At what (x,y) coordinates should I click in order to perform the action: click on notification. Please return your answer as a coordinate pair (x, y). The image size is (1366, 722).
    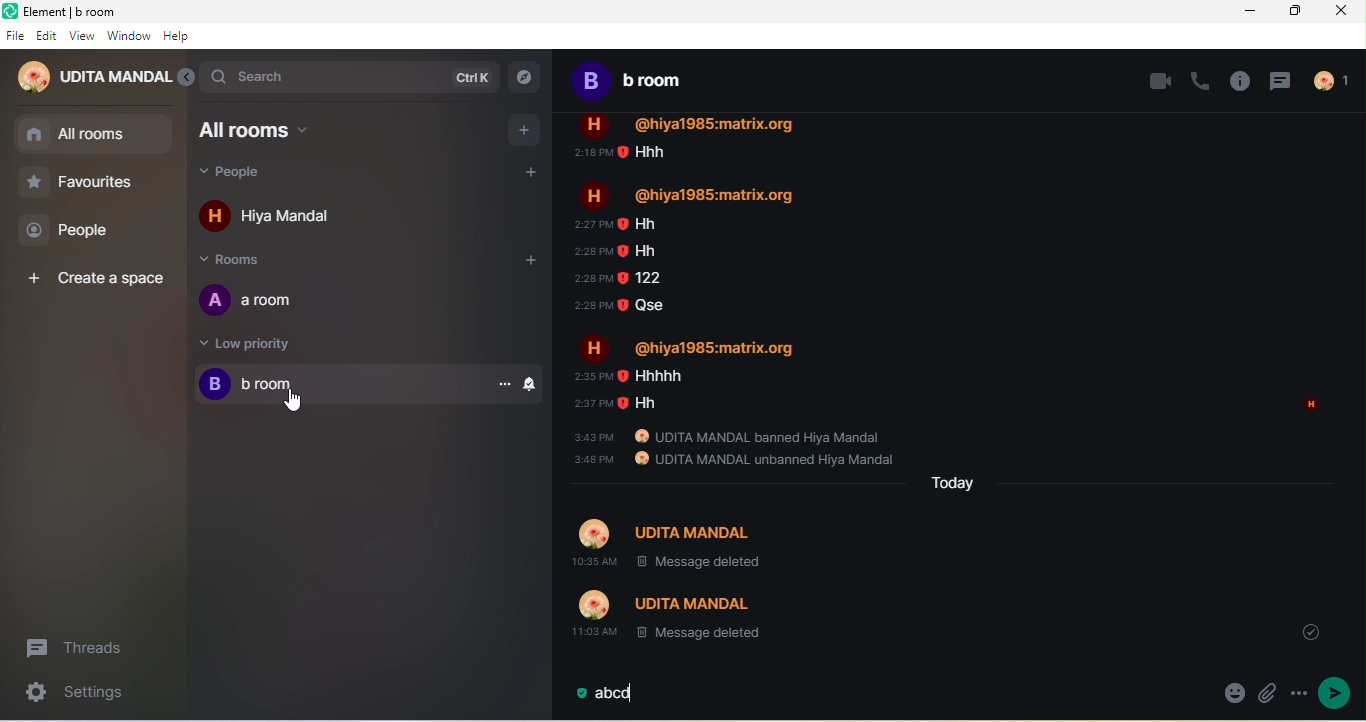
    Looking at the image, I should click on (534, 384).